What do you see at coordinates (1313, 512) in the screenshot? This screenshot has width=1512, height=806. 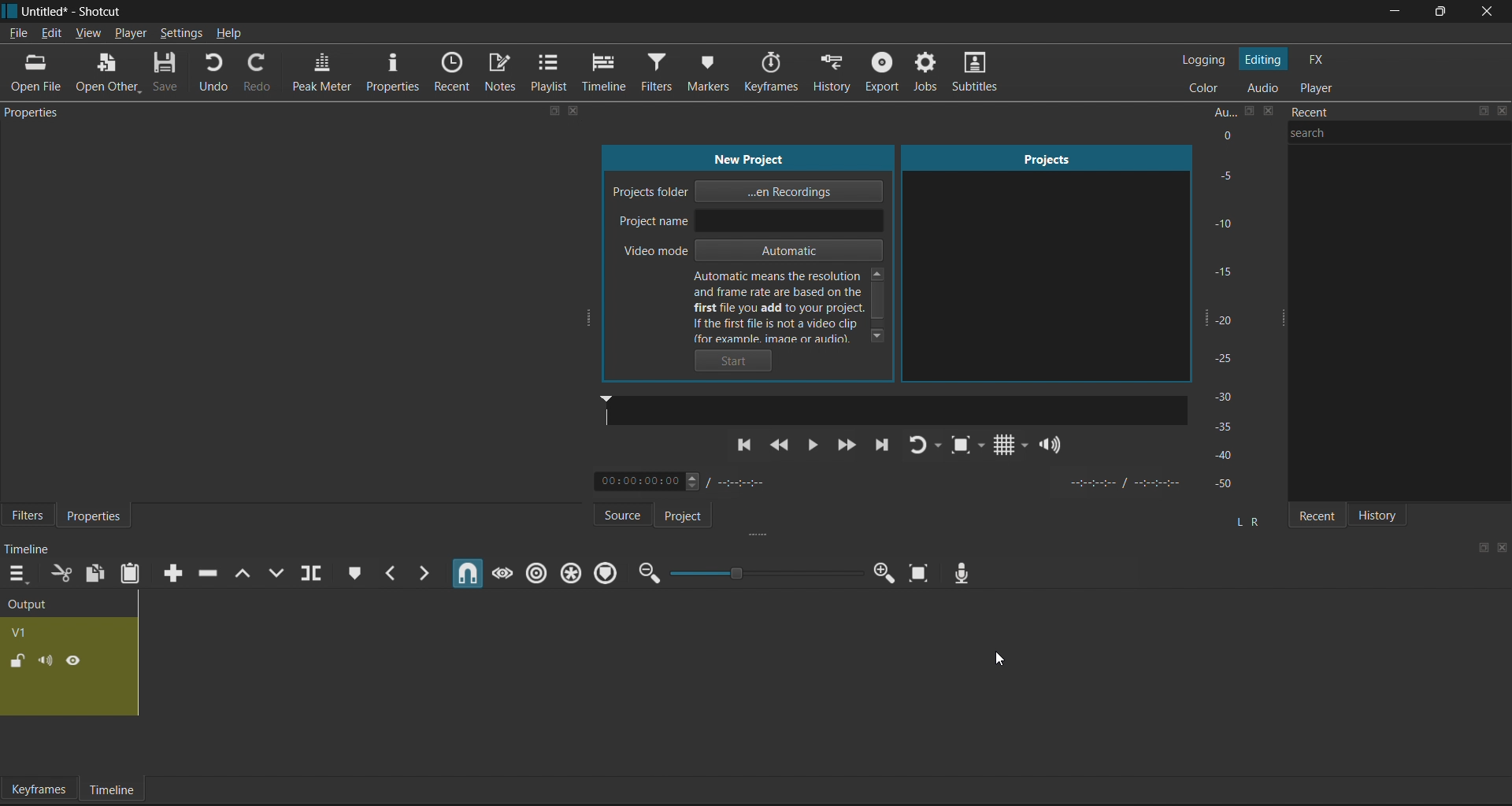 I see `Recent` at bounding box center [1313, 512].